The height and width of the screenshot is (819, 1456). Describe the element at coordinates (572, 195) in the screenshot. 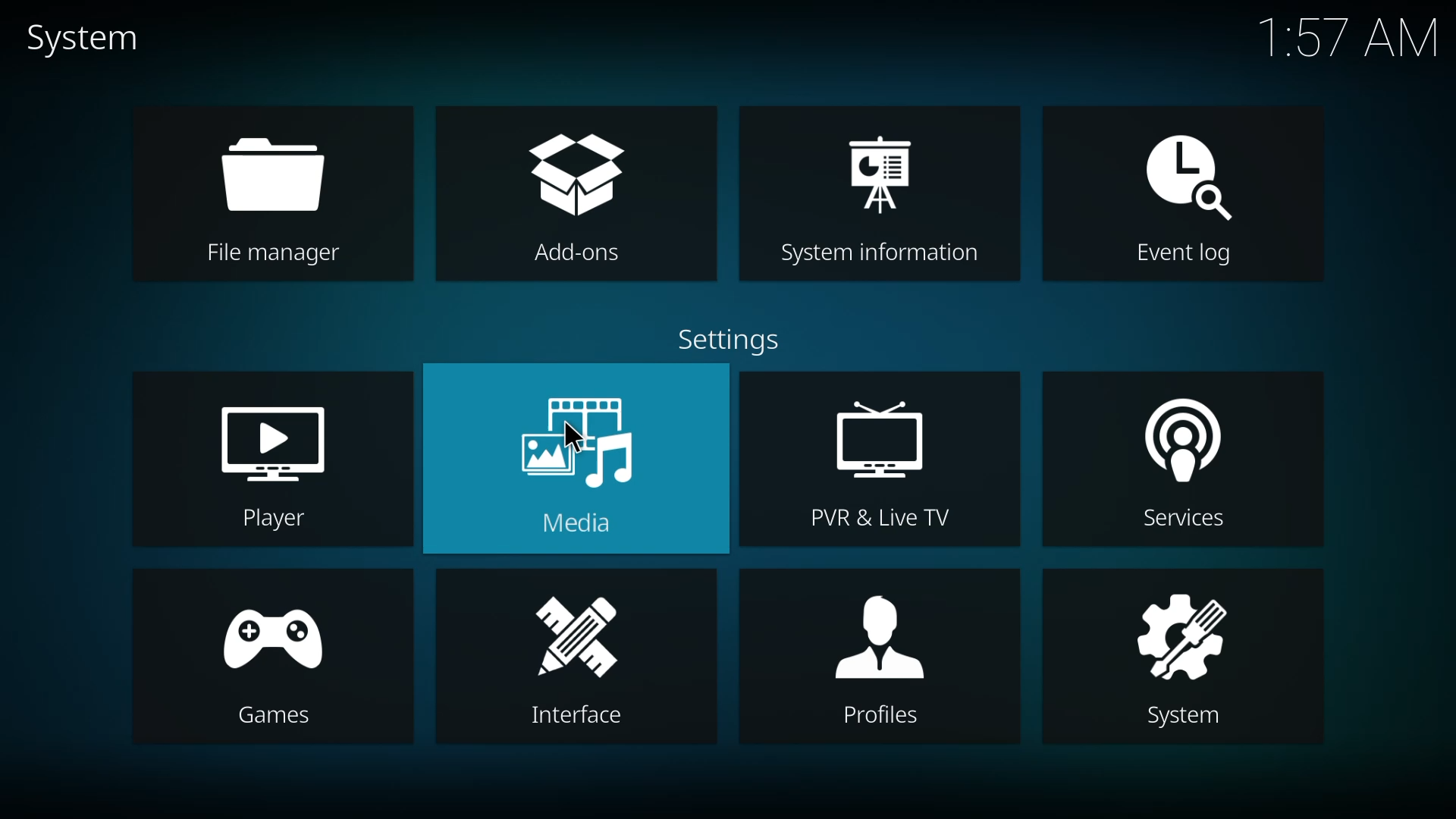

I see `add-ons` at that location.